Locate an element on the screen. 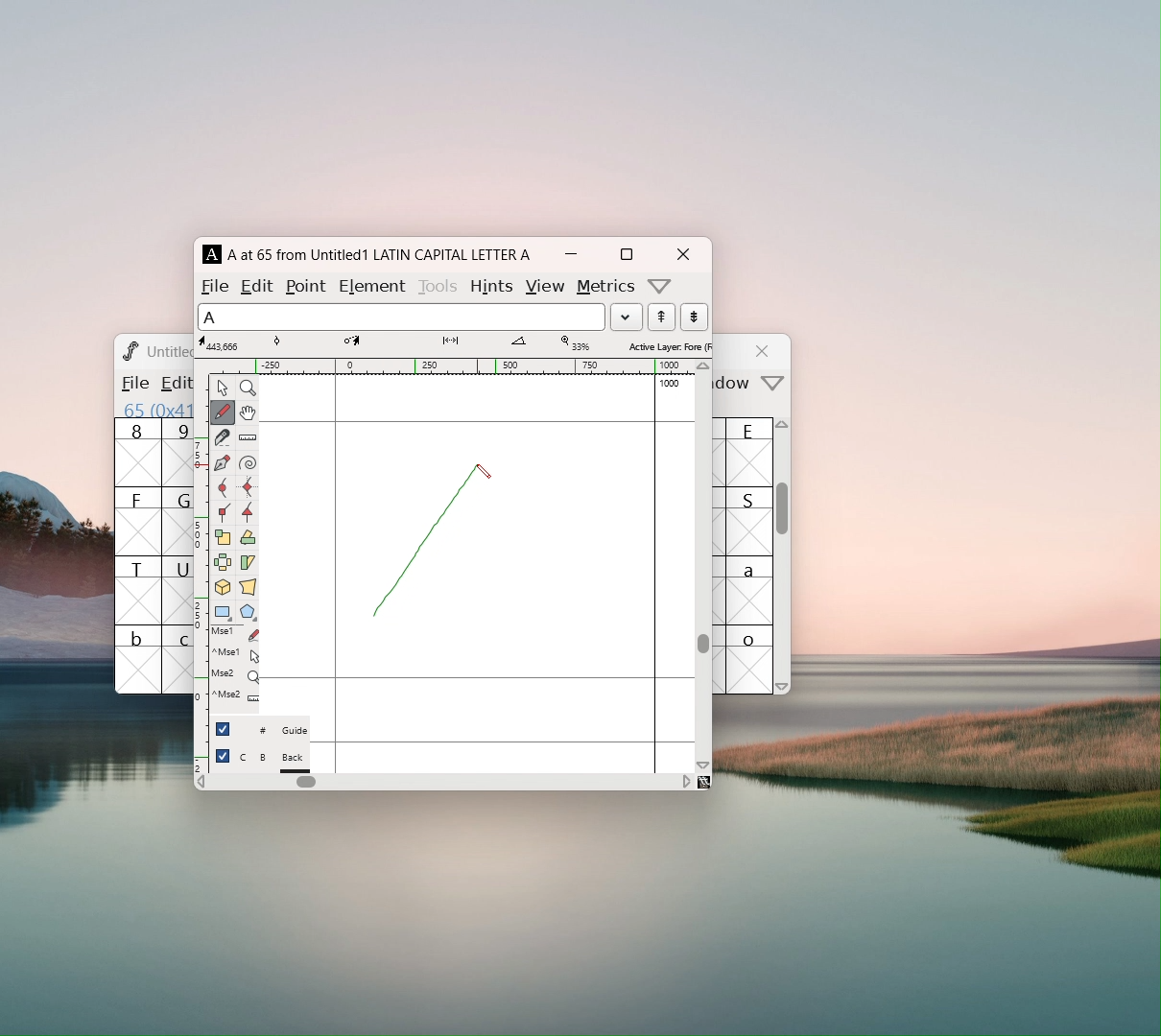 The height and width of the screenshot is (1036, 1161). maximum ascent line is located at coordinates (477, 422).